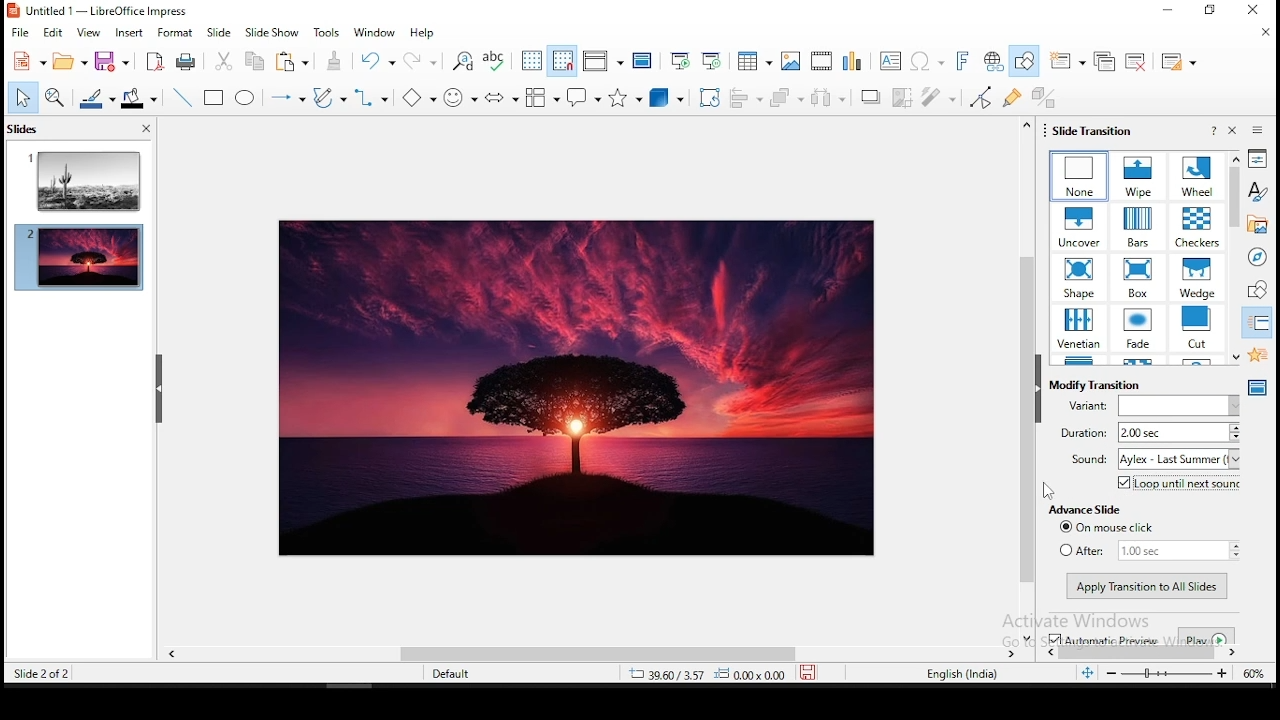  What do you see at coordinates (583, 97) in the screenshot?
I see `callout shapes` at bounding box center [583, 97].